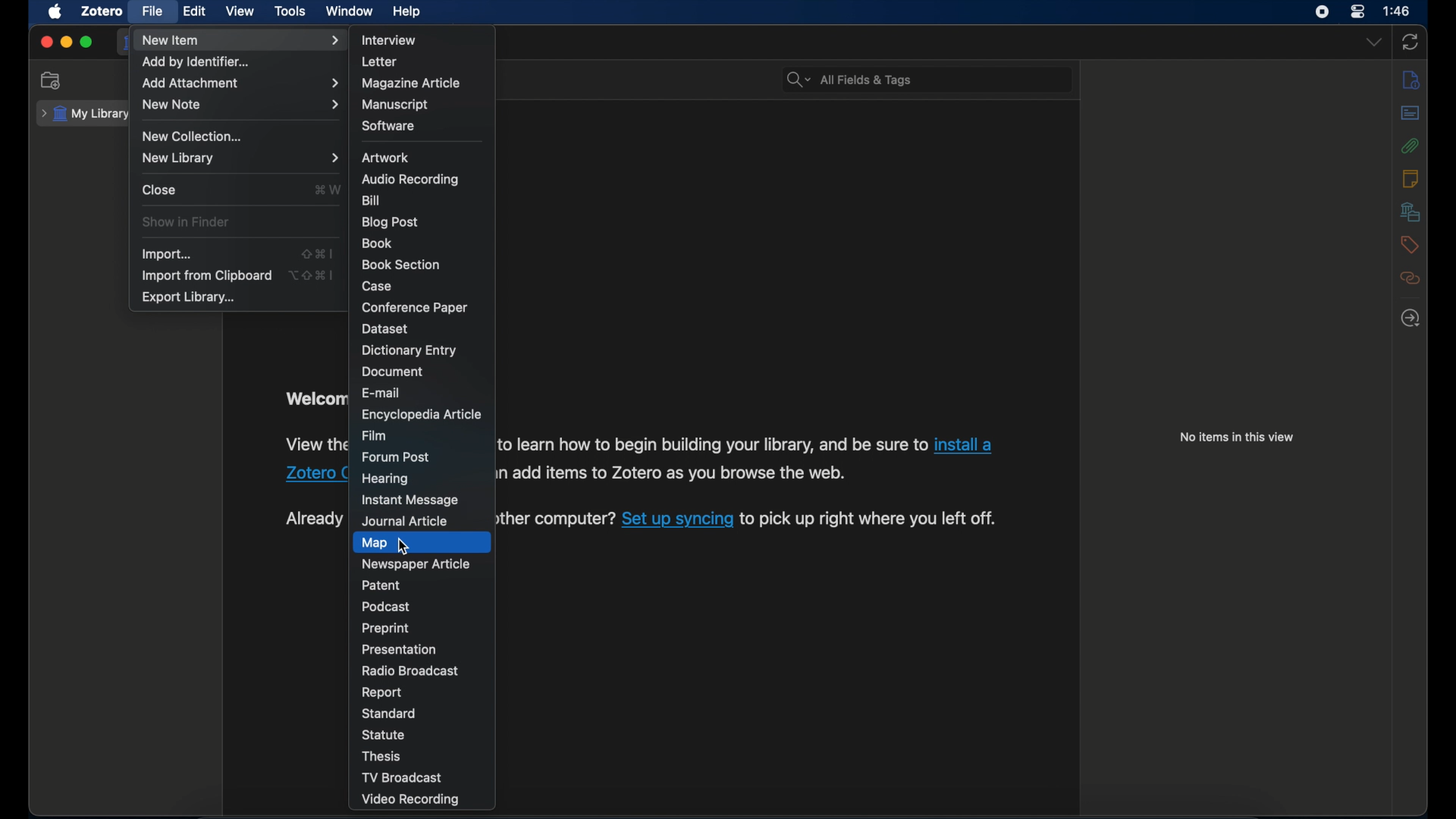  I want to click on import from clipboard, so click(206, 276).